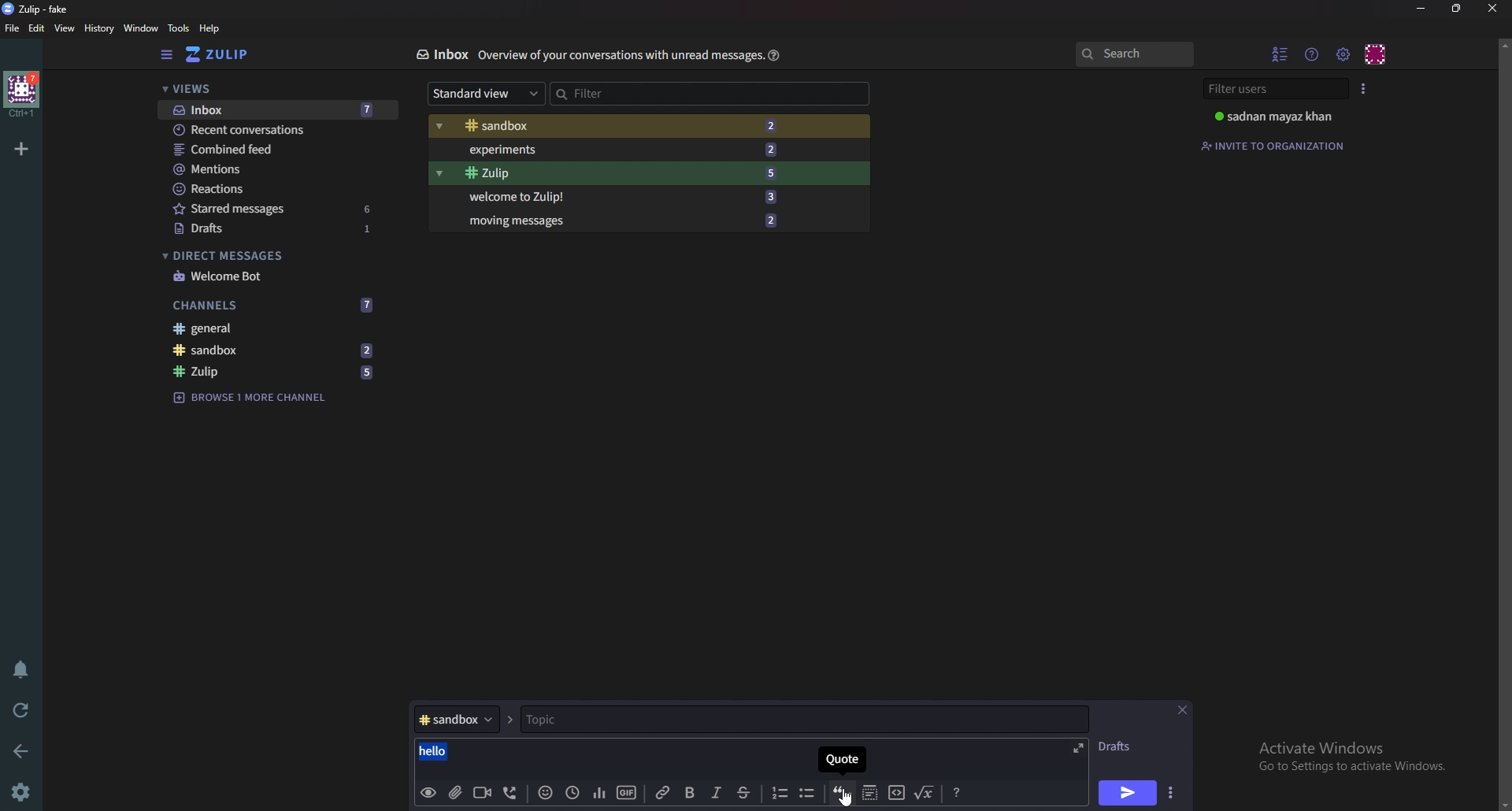  Describe the element at coordinates (575, 792) in the screenshot. I see `Global time` at that location.